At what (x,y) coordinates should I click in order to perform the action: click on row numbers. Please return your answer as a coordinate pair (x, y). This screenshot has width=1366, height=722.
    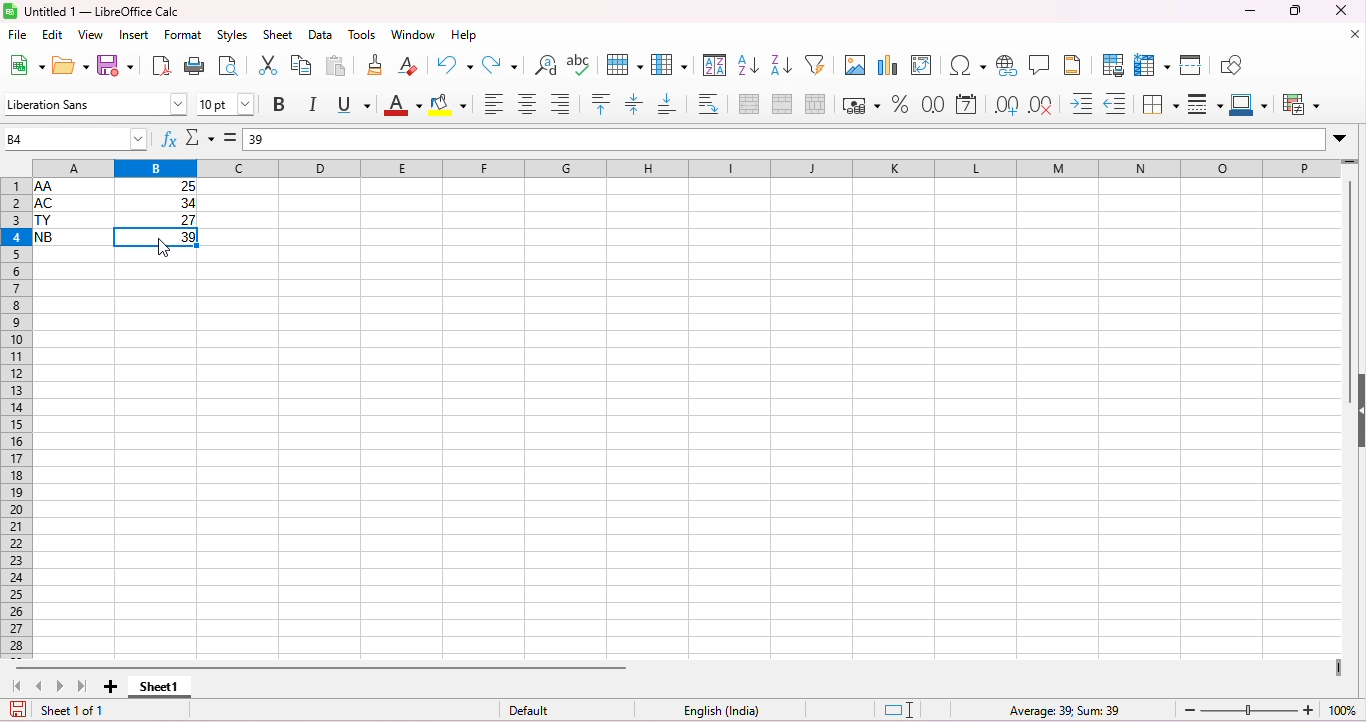
    Looking at the image, I should click on (15, 419).